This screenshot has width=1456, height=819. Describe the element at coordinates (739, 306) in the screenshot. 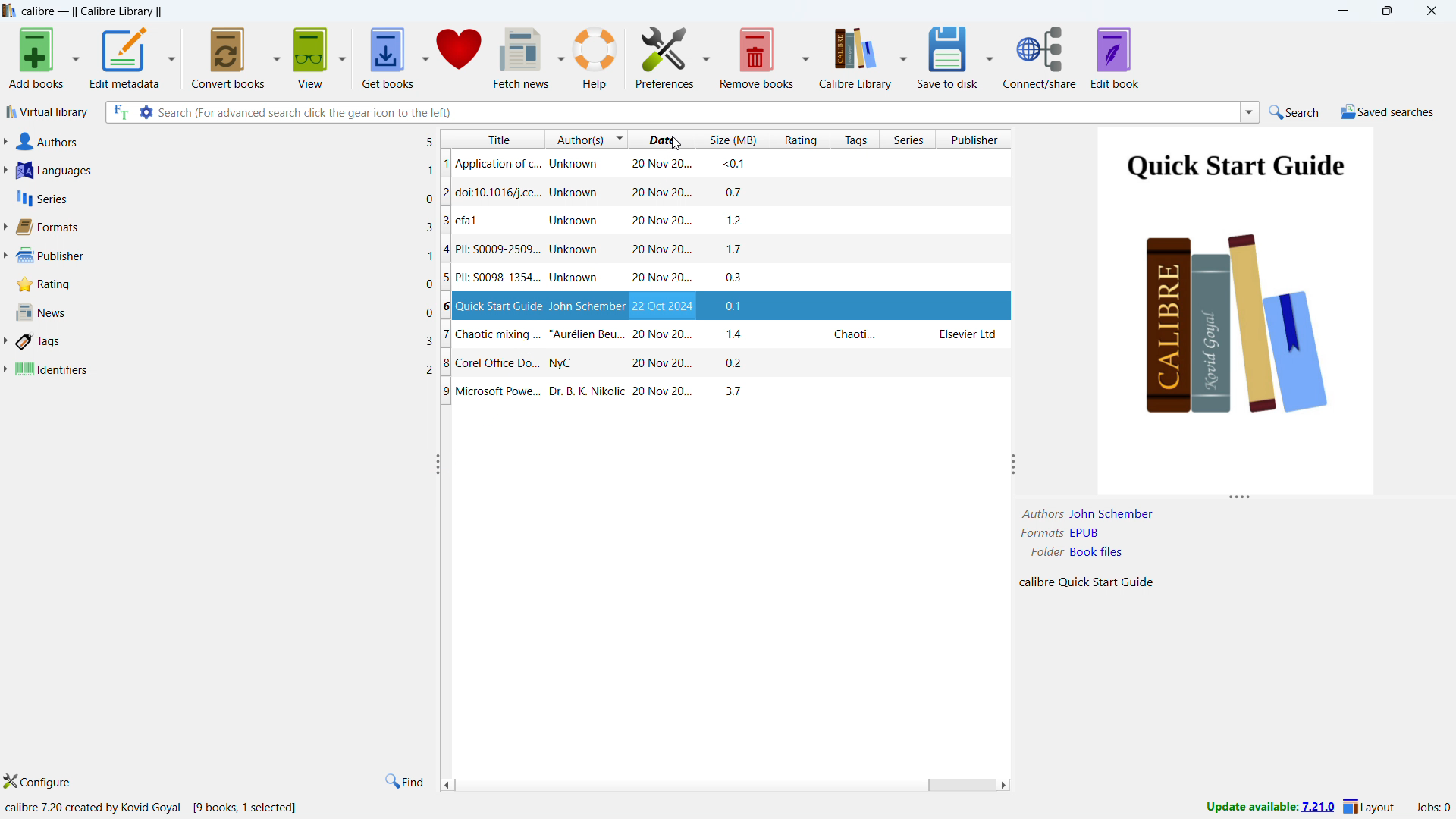

I see `0.1` at that location.